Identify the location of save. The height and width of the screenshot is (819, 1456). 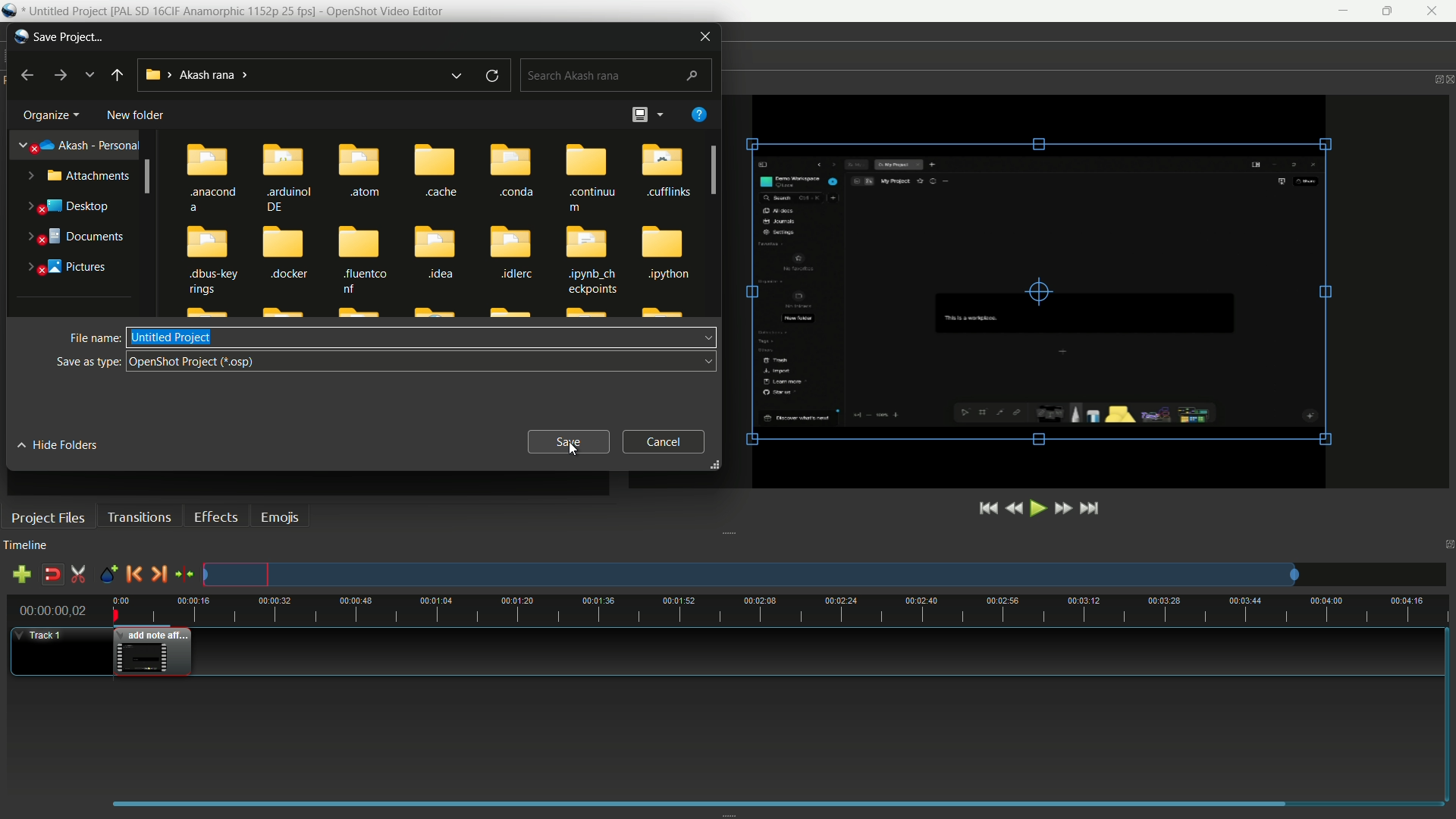
(571, 442).